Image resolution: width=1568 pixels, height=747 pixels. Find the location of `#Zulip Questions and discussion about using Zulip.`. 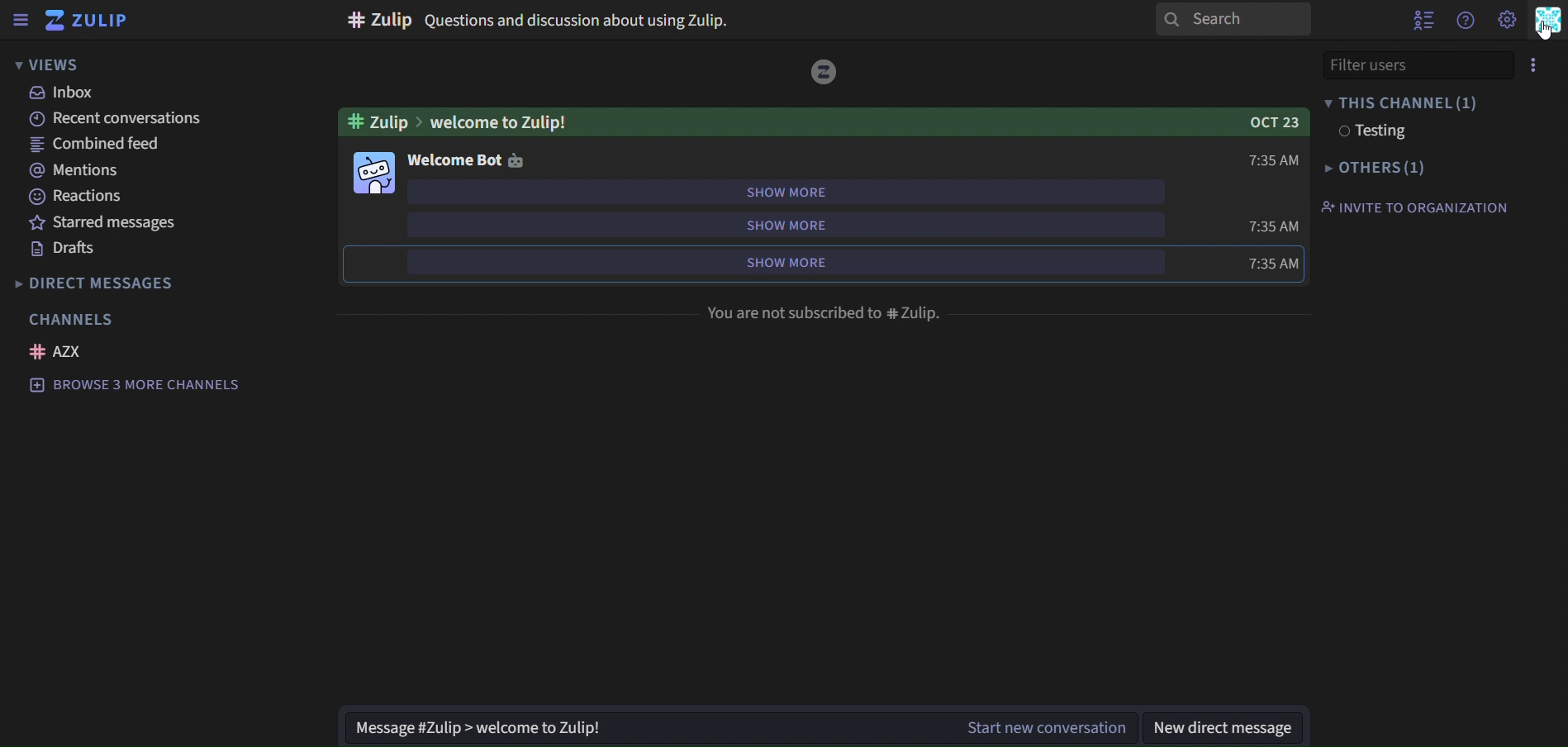

#Zulip Questions and discussion about using Zulip. is located at coordinates (544, 21).